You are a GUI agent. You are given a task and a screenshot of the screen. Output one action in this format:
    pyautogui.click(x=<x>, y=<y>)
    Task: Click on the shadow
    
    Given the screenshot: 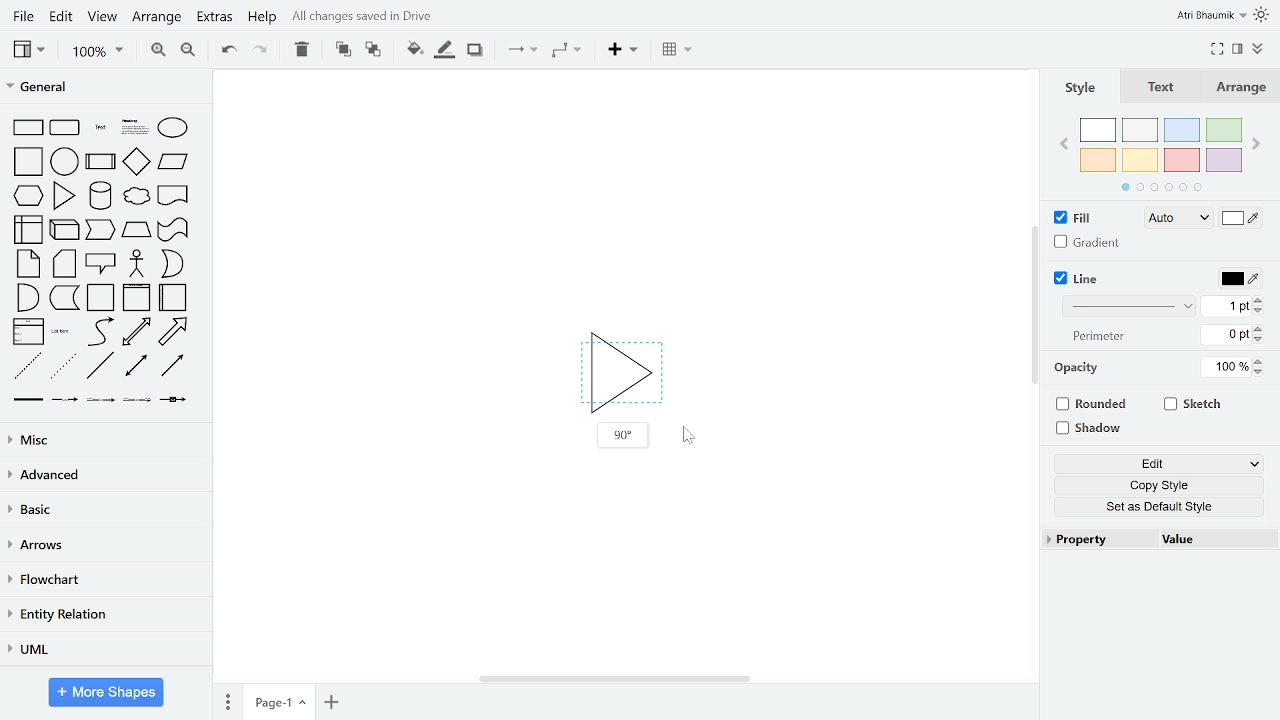 What is the action you would take?
    pyautogui.click(x=474, y=50)
    